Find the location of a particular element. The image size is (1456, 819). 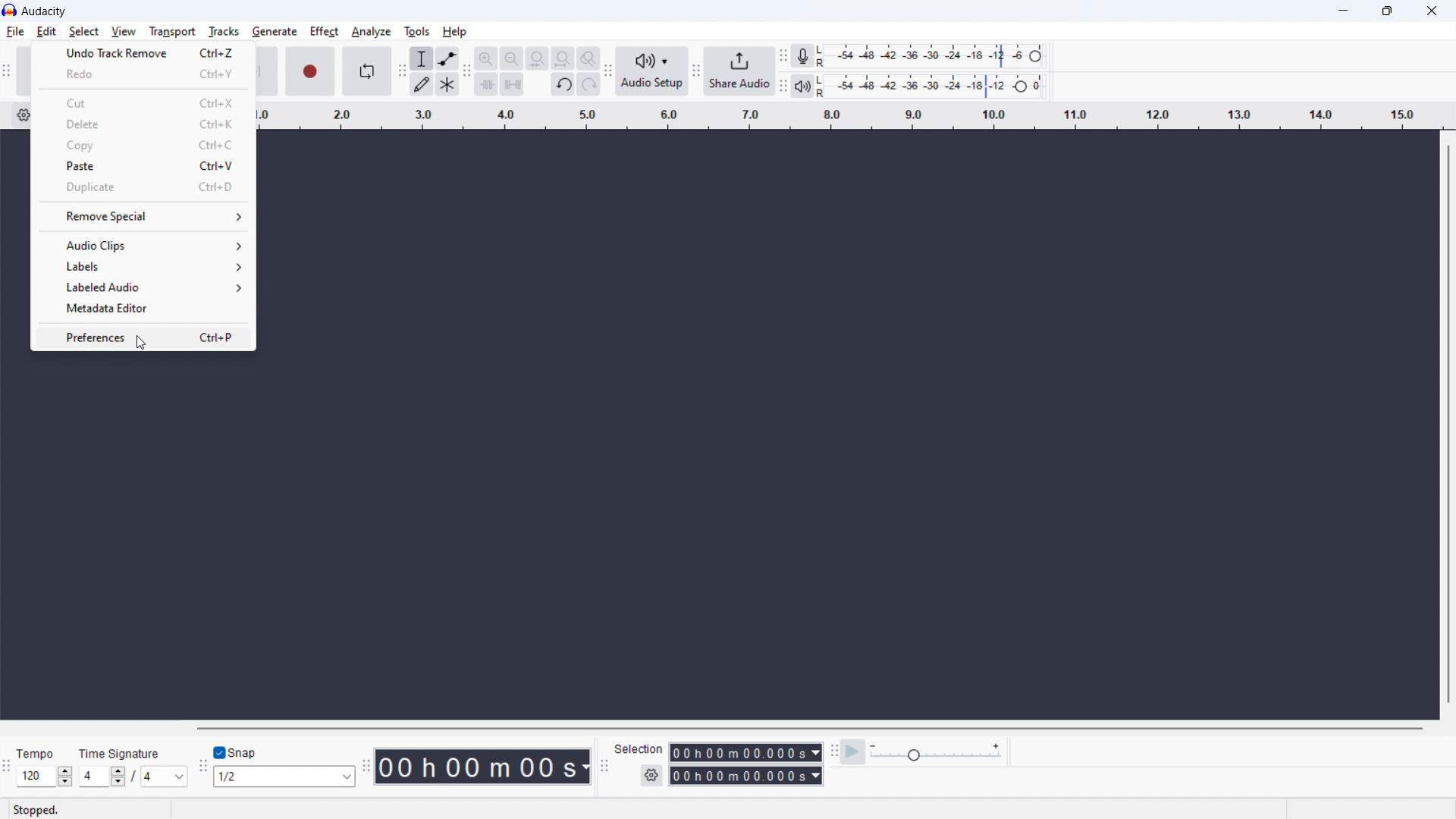

remove special is located at coordinates (144, 216).